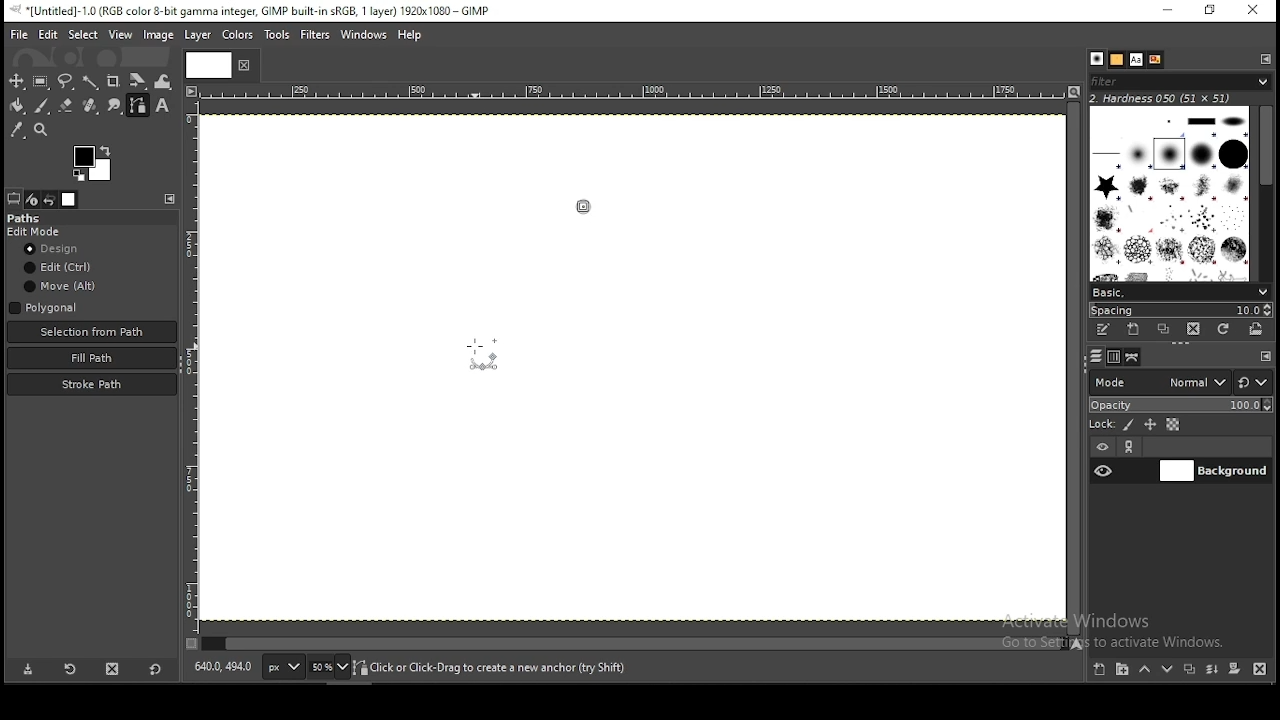 The width and height of the screenshot is (1280, 720). I want to click on images, so click(70, 199).